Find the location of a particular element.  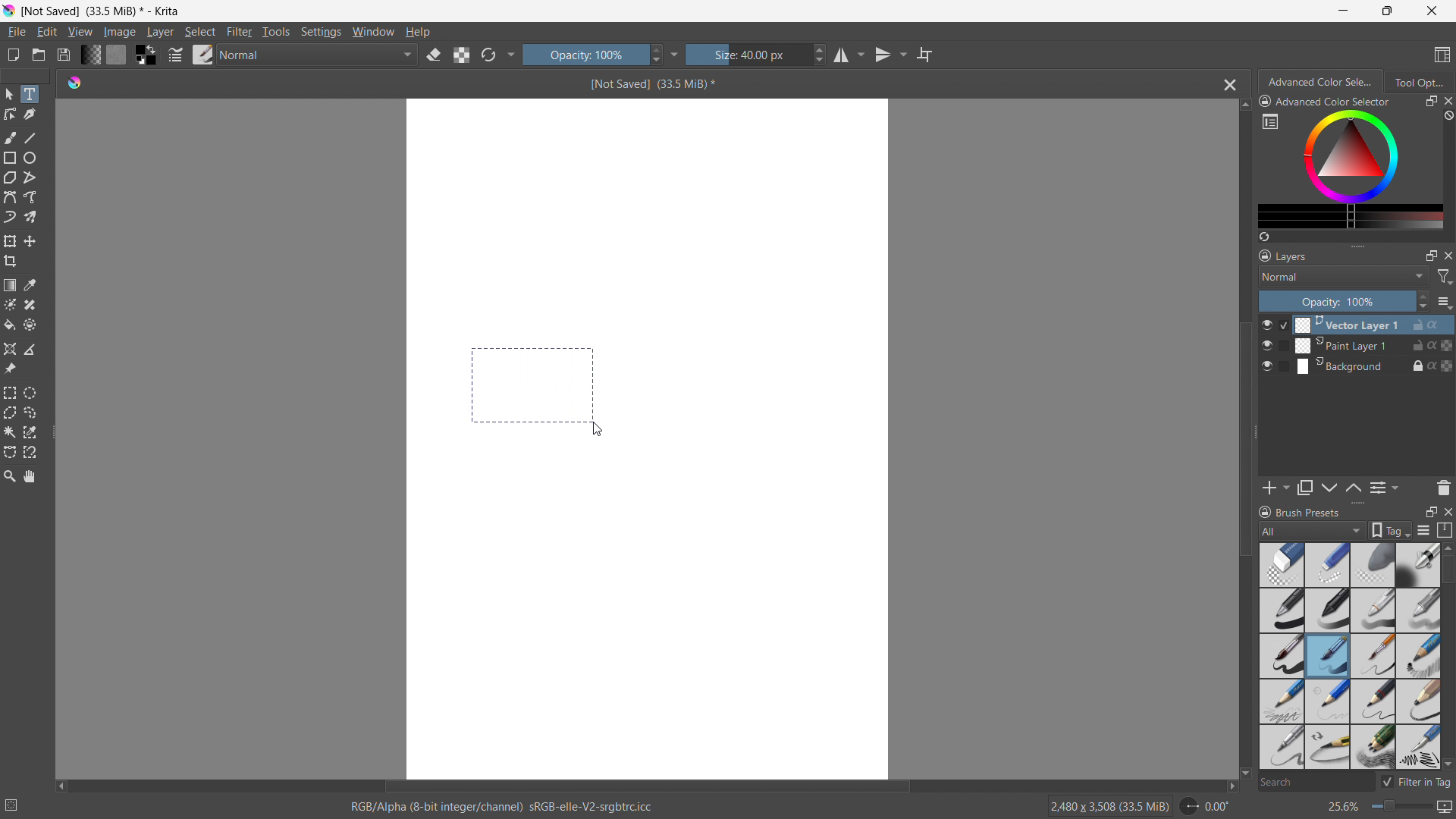

select shapes tool is located at coordinates (8, 94).